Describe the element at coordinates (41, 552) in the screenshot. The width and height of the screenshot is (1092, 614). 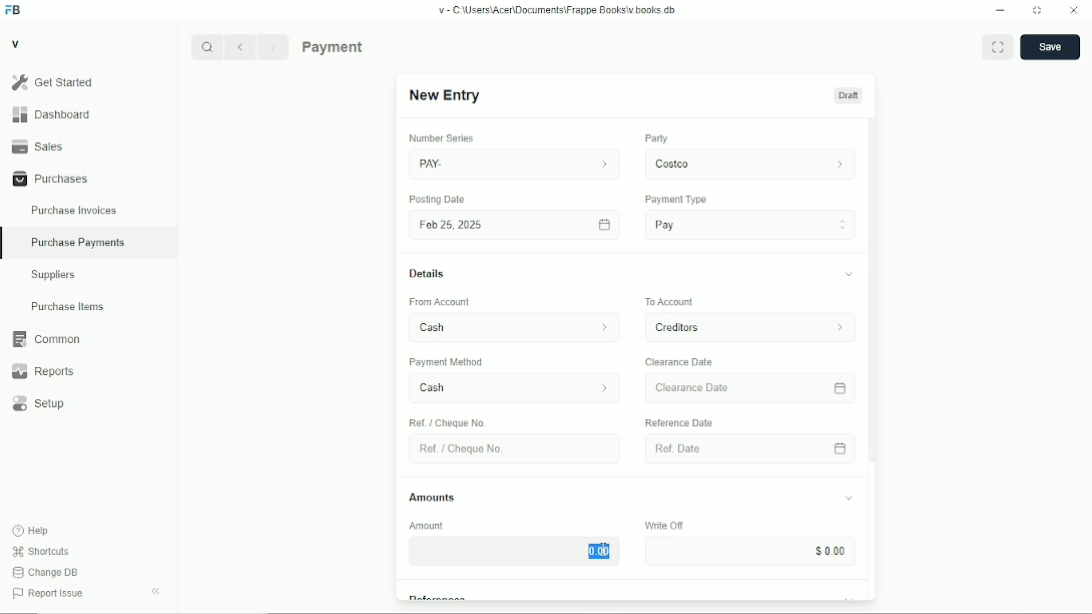
I see `Shortcuts` at that location.